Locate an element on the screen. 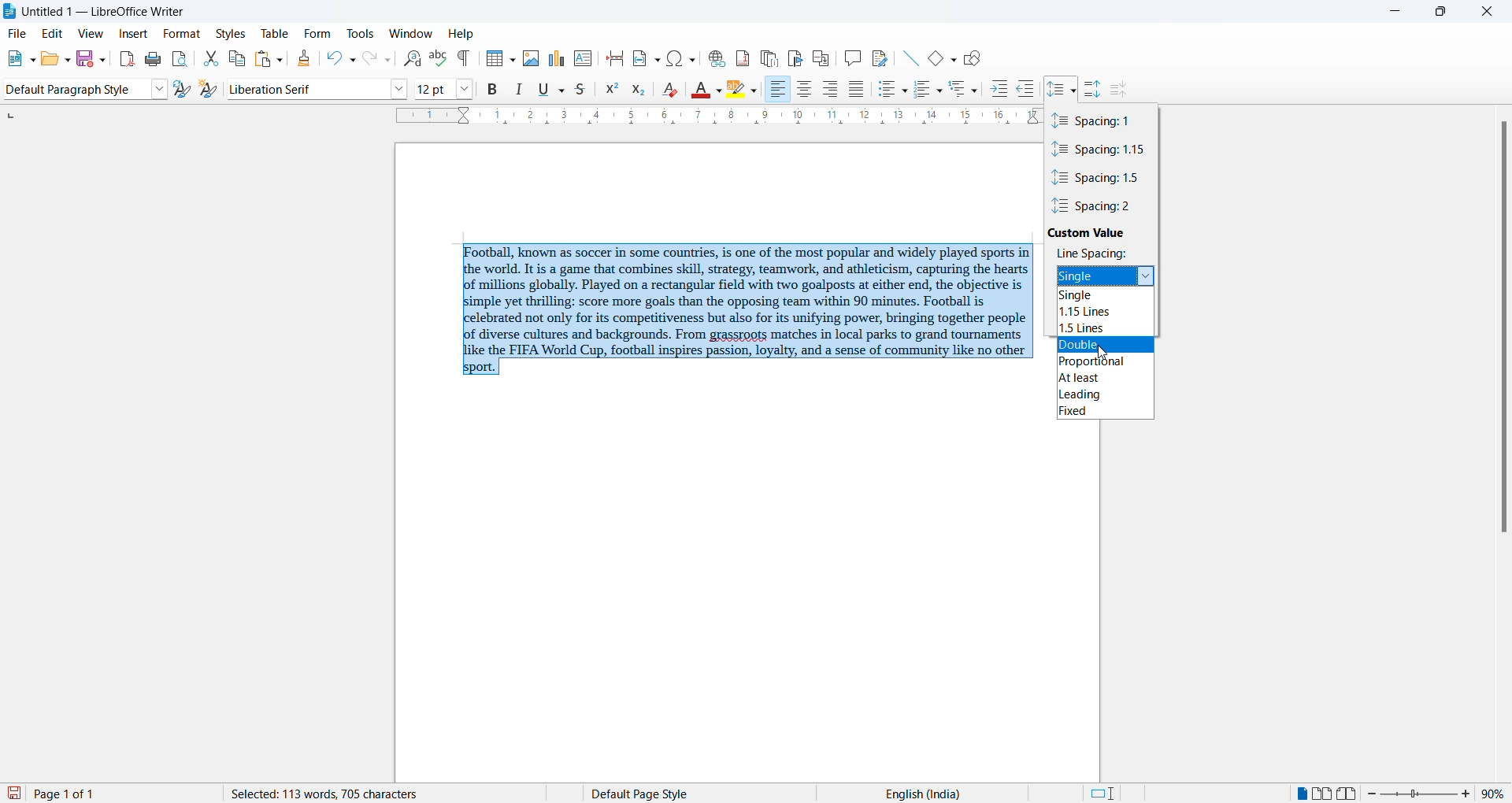 Image resolution: width=1512 pixels, height=803 pixels. print is located at coordinates (154, 58).